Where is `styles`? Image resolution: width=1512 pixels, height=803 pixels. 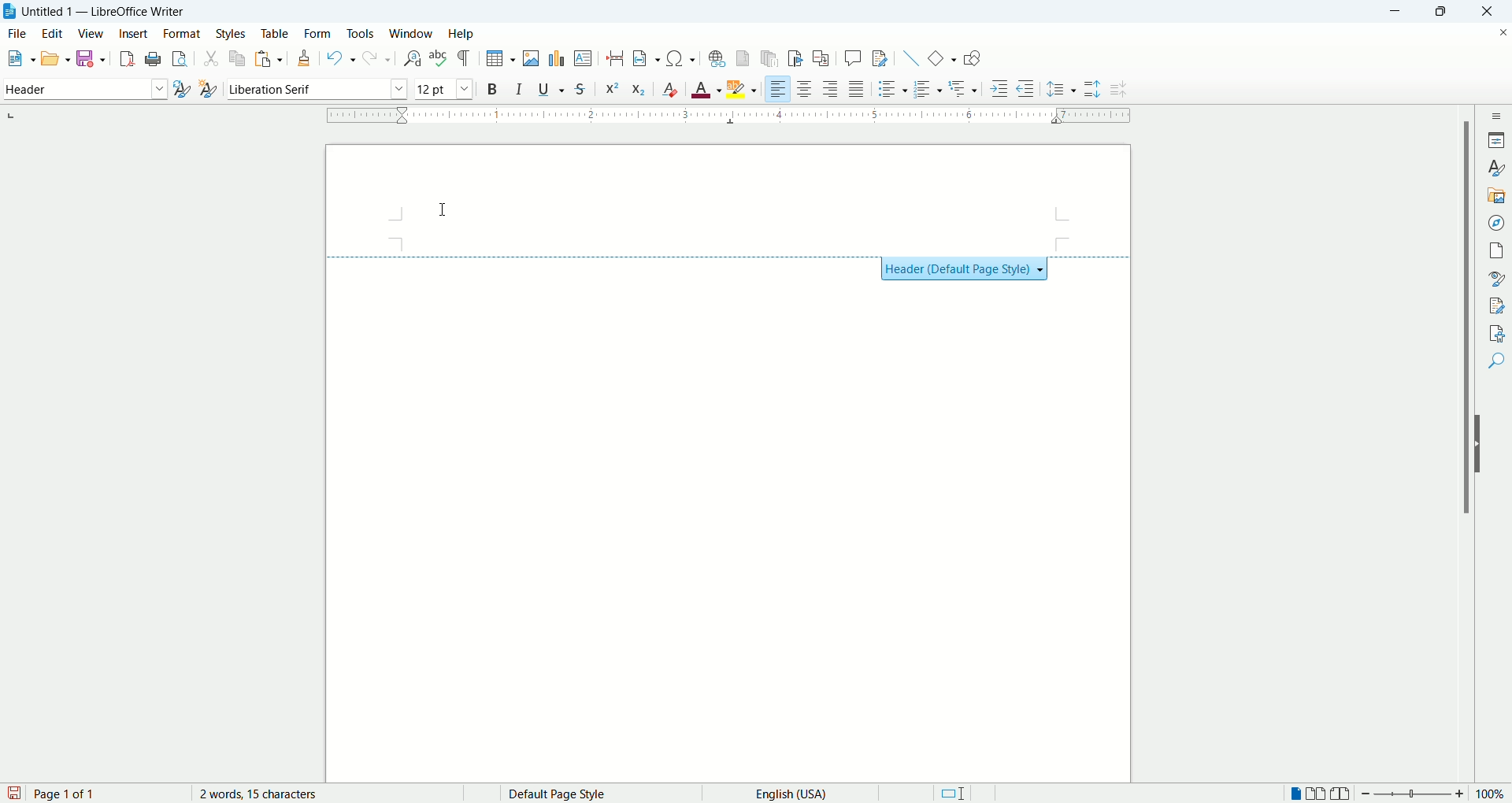
styles is located at coordinates (228, 35).